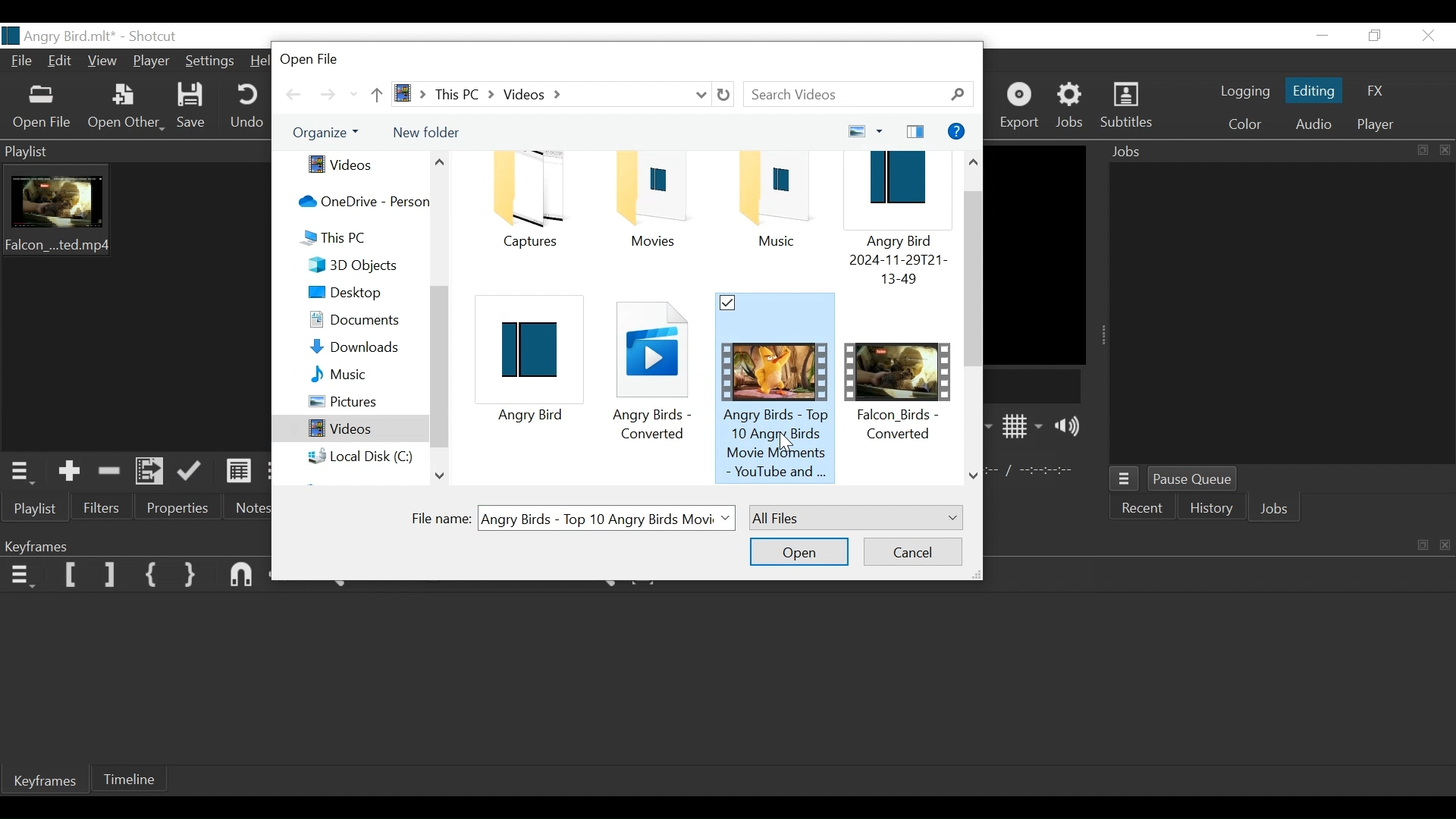 The height and width of the screenshot is (819, 1456). I want to click on Open Other, so click(125, 108).